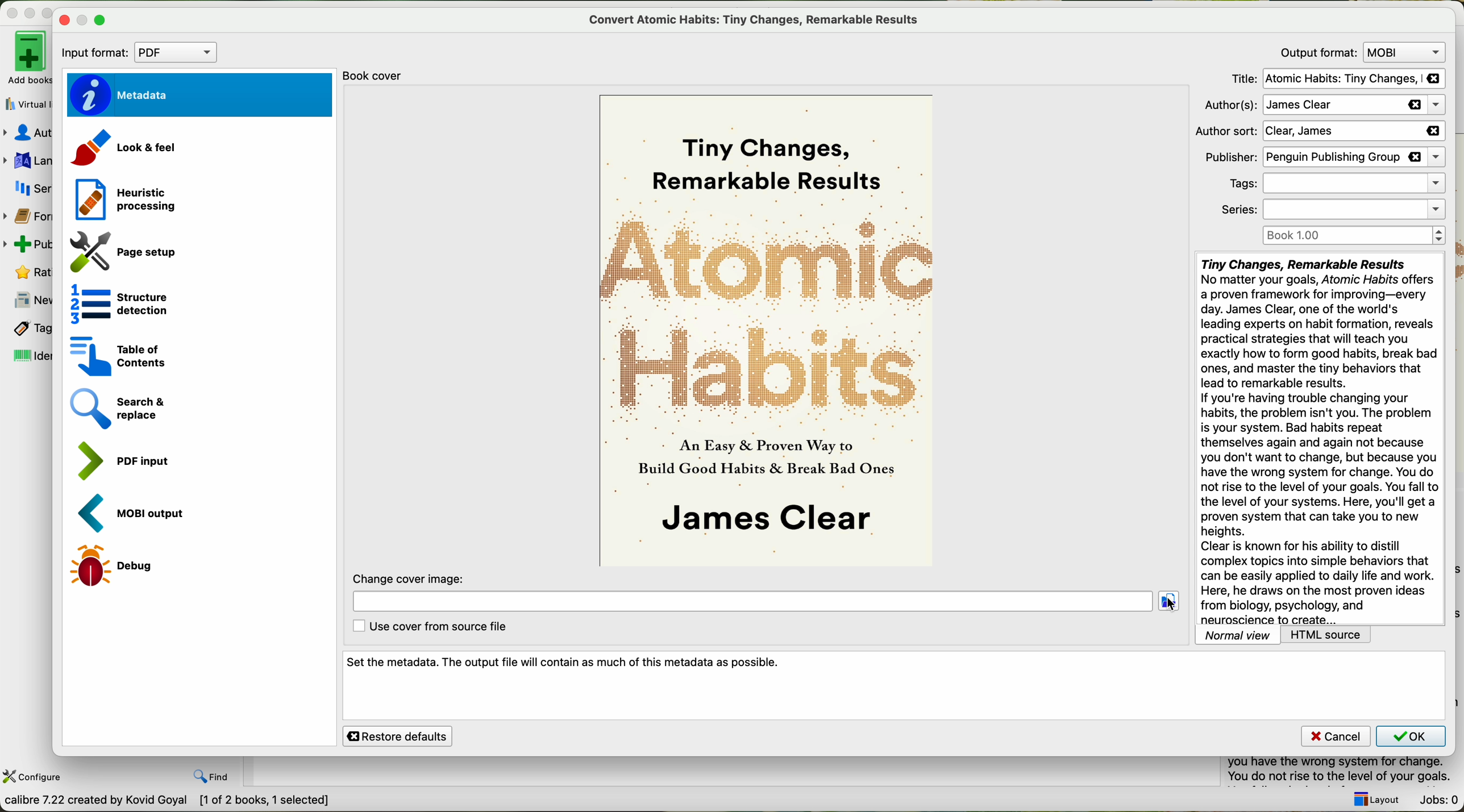  What do you see at coordinates (31, 355) in the screenshot?
I see `identifiers` at bounding box center [31, 355].